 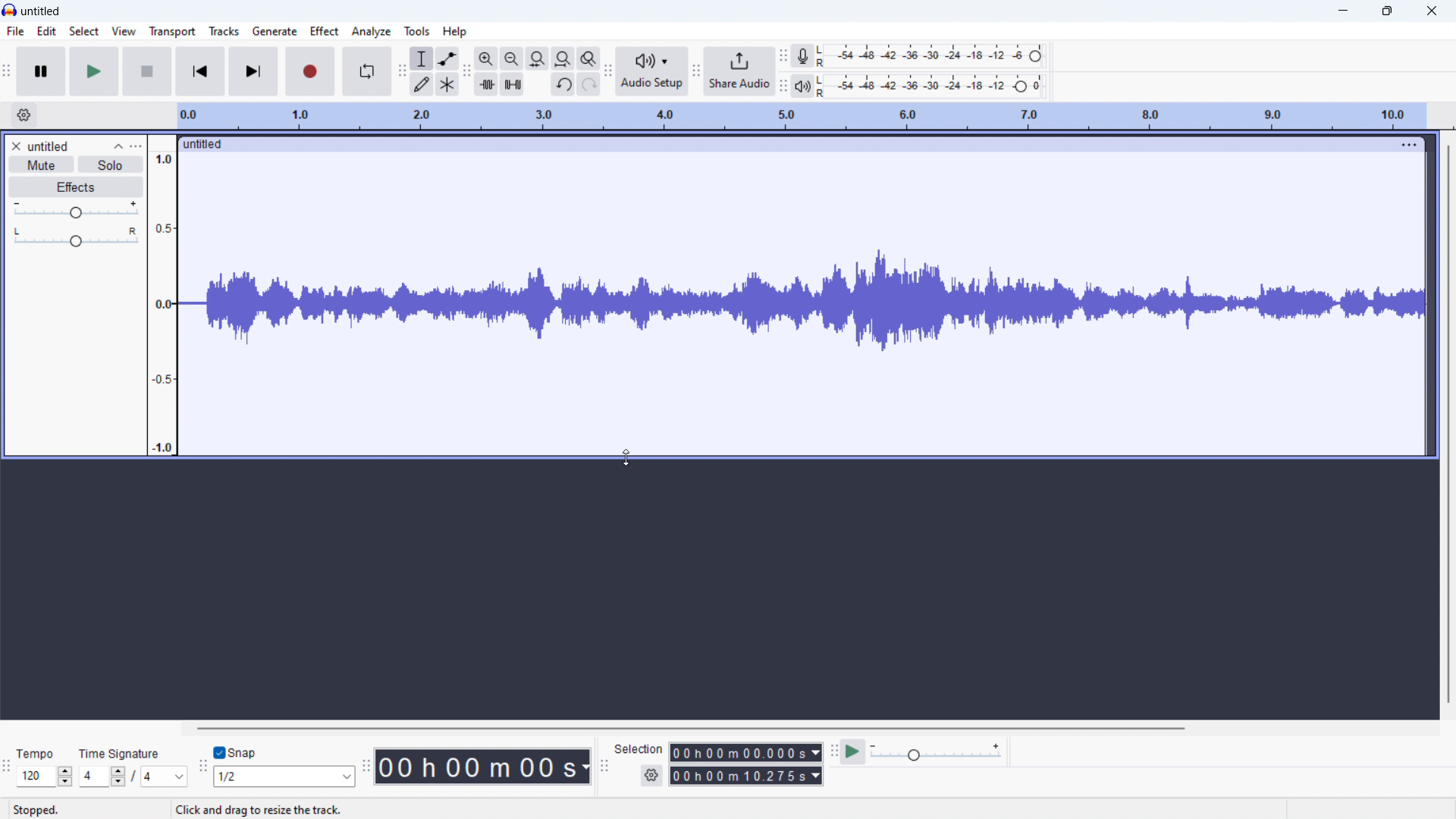 What do you see at coordinates (44, 777) in the screenshot?
I see `set tempo` at bounding box center [44, 777].